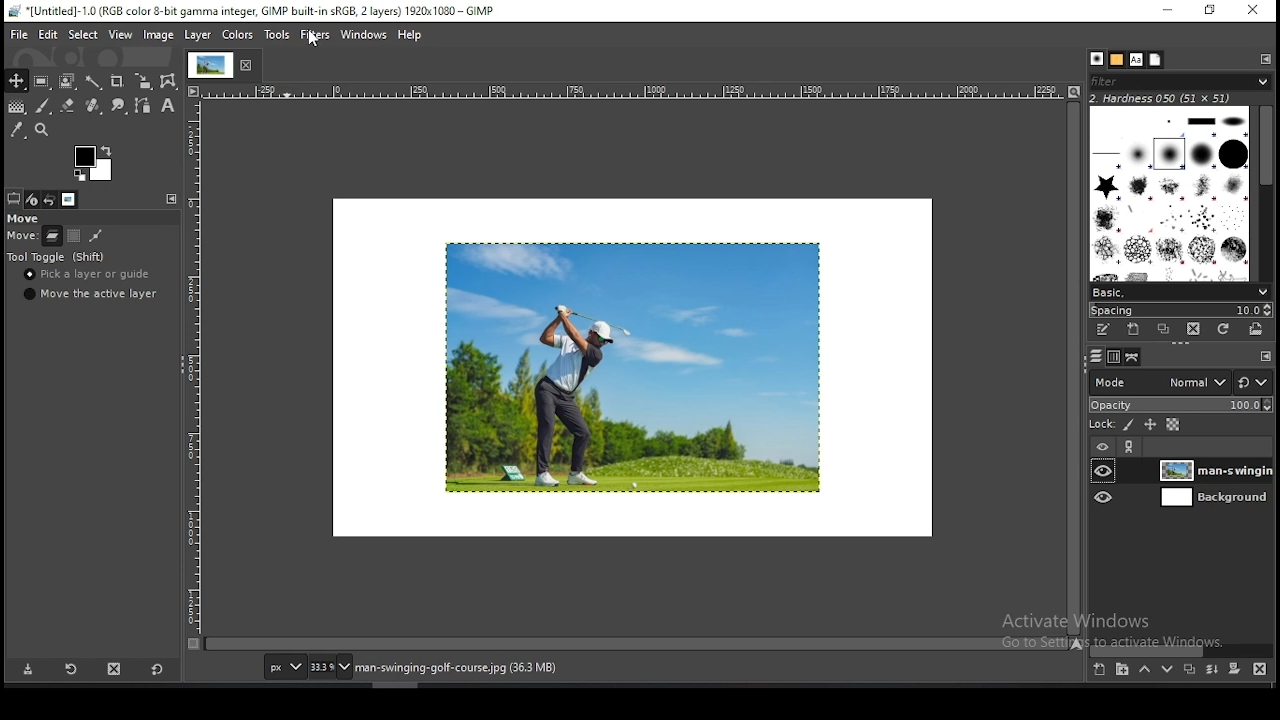 This screenshot has width=1280, height=720. Describe the element at coordinates (16, 81) in the screenshot. I see `move tool` at that location.